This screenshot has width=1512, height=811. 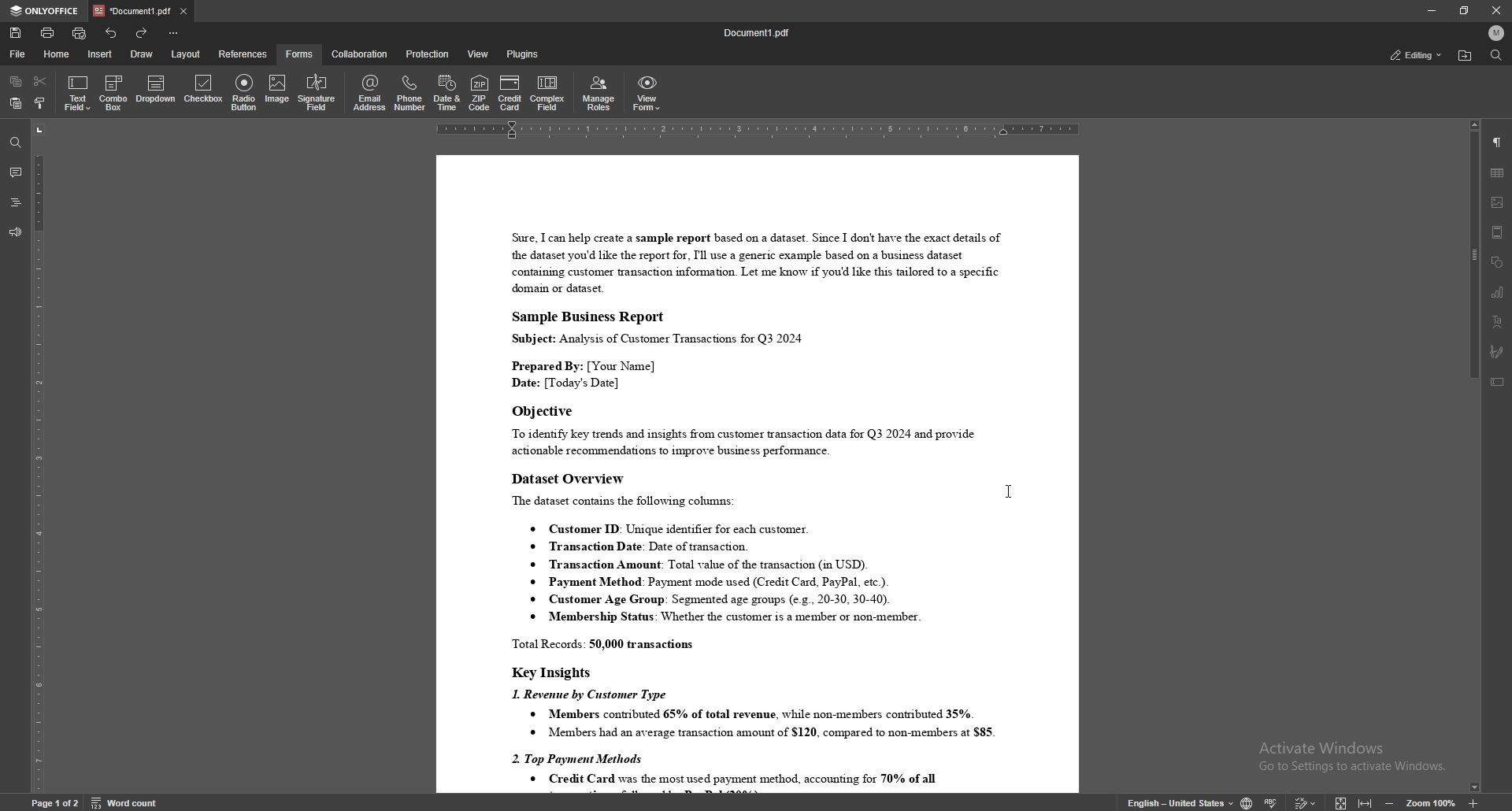 What do you see at coordinates (758, 130) in the screenshot?
I see `horizontal scale` at bounding box center [758, 130].